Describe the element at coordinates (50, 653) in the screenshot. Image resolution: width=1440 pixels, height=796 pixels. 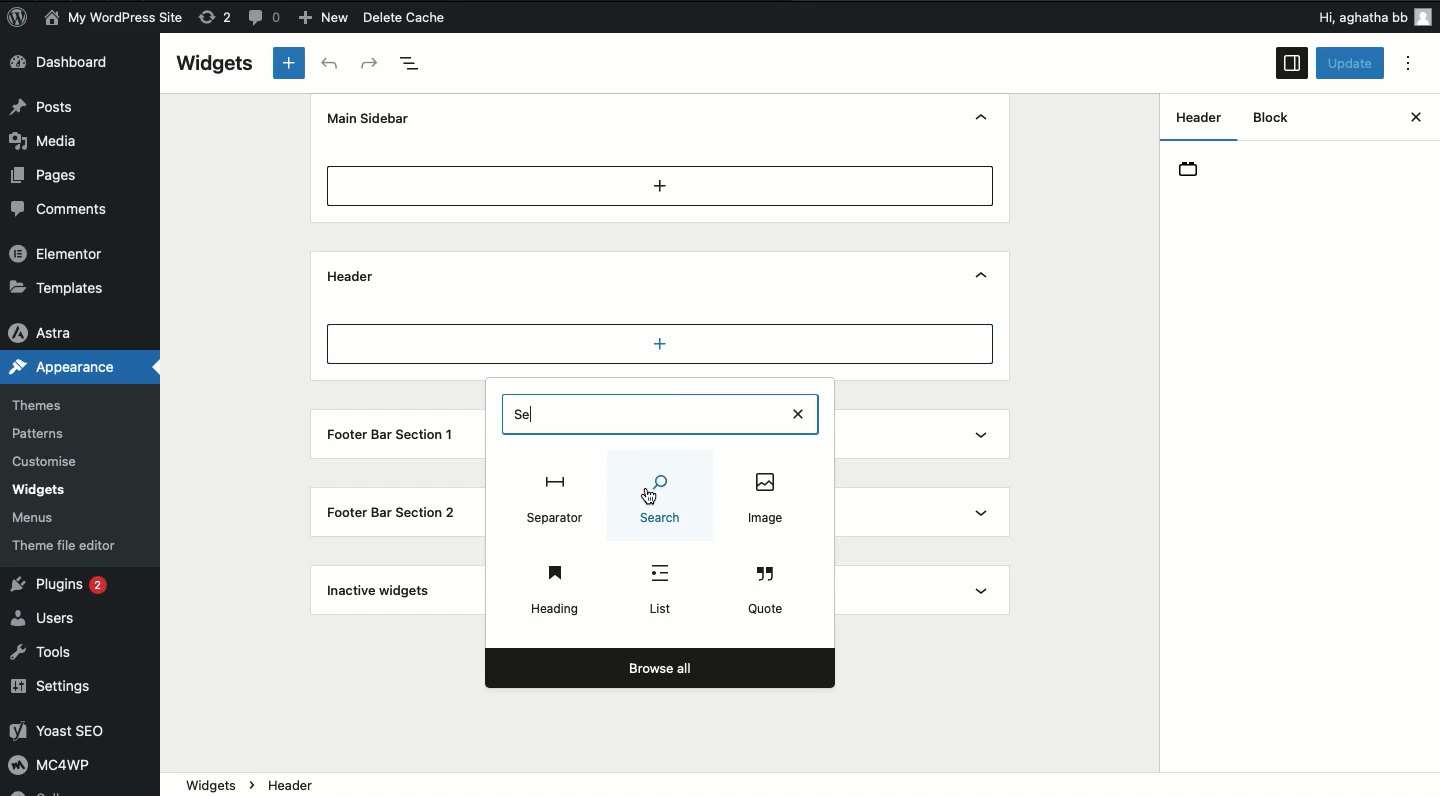
I see `Tools` at that location.